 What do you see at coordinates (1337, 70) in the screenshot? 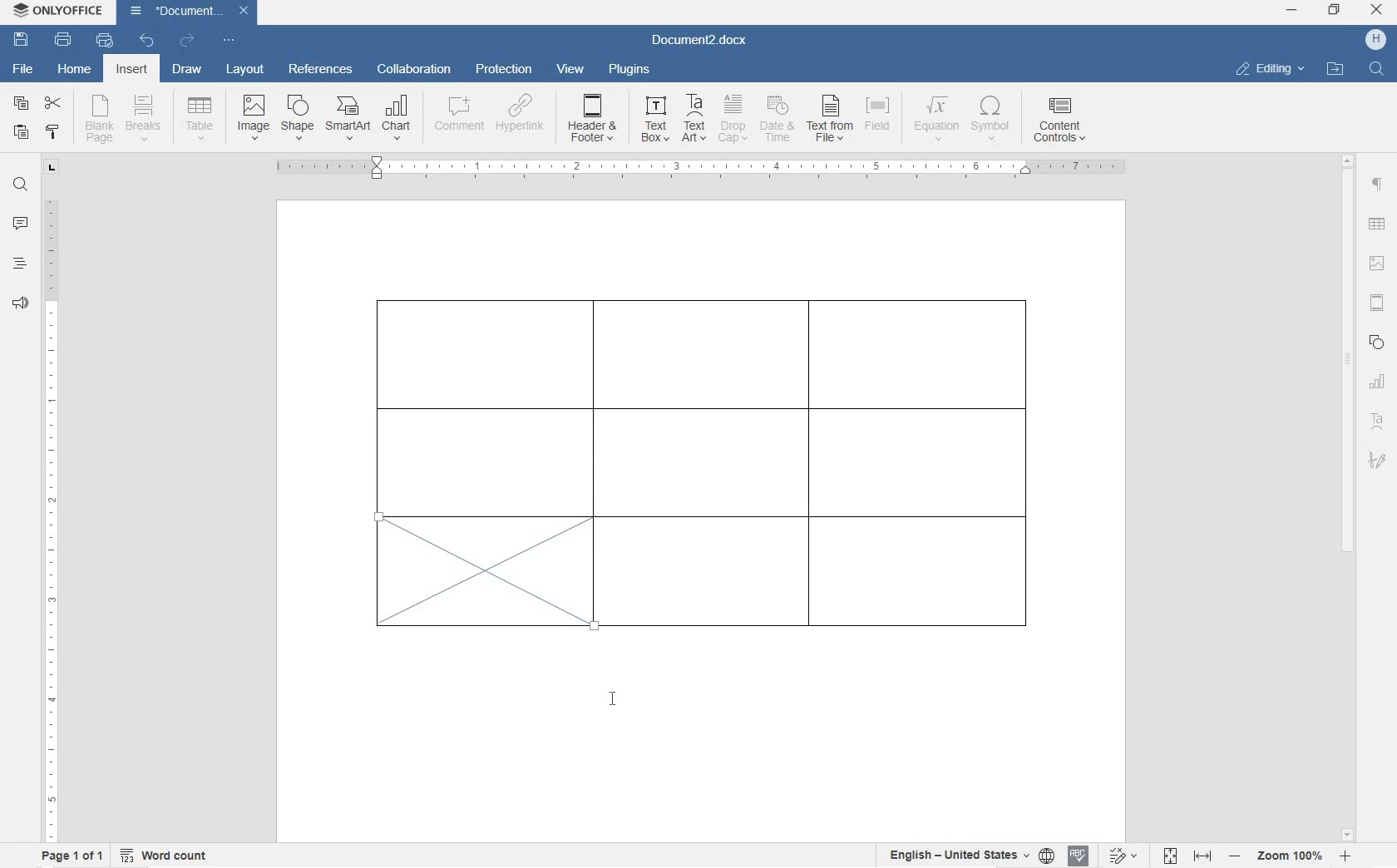
I see `OPEN FILE LOCATION` at bounding box center [1337, 70].